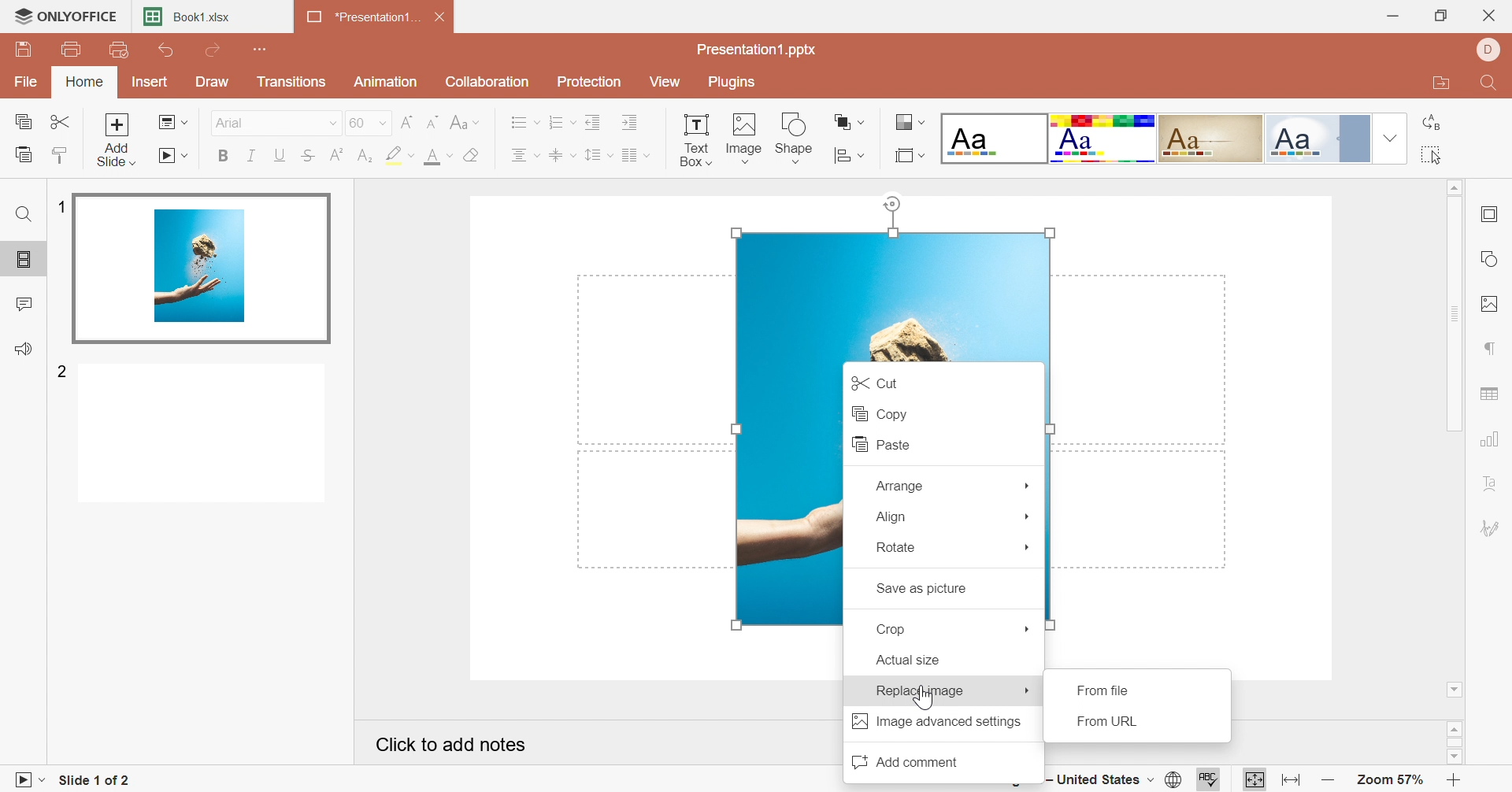 The width and height of the screenshot is (1512, 792). Describe the element at coordinates (669, 81) in the screenshot. I see `View` at that location.